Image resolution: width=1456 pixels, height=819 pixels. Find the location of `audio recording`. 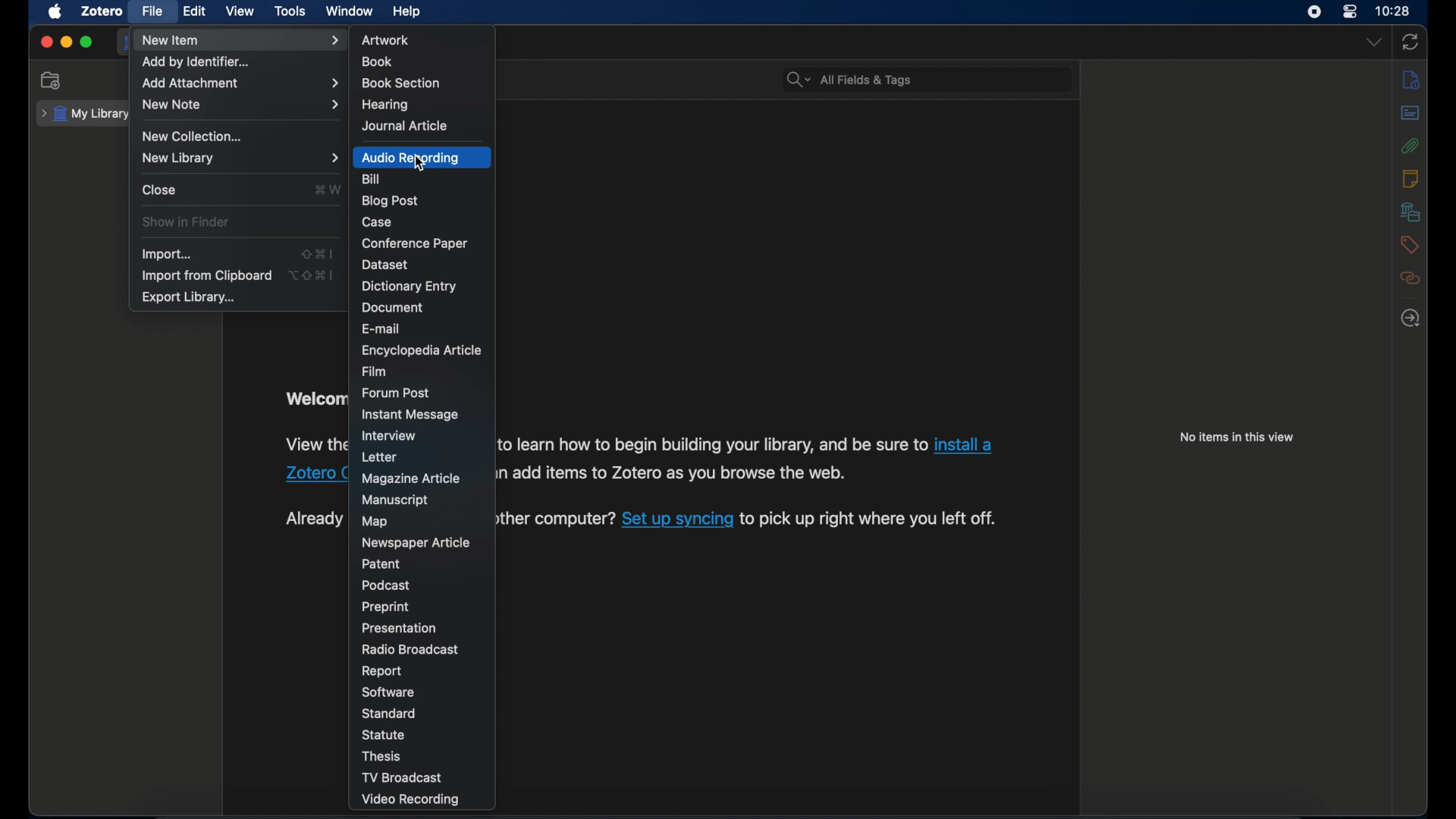

audio recording is located at coordinates (413, 158).